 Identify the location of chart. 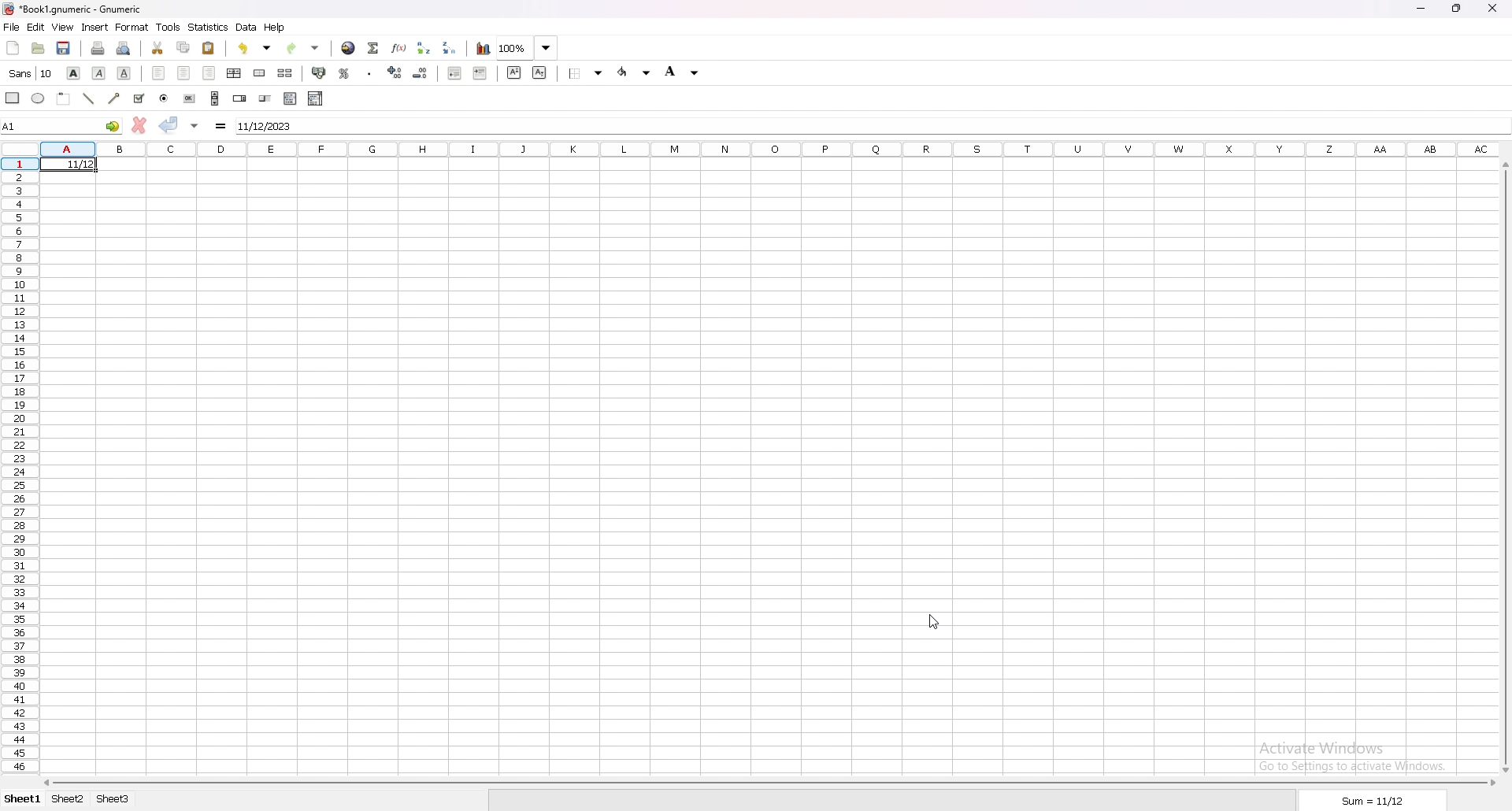
(484, 49).